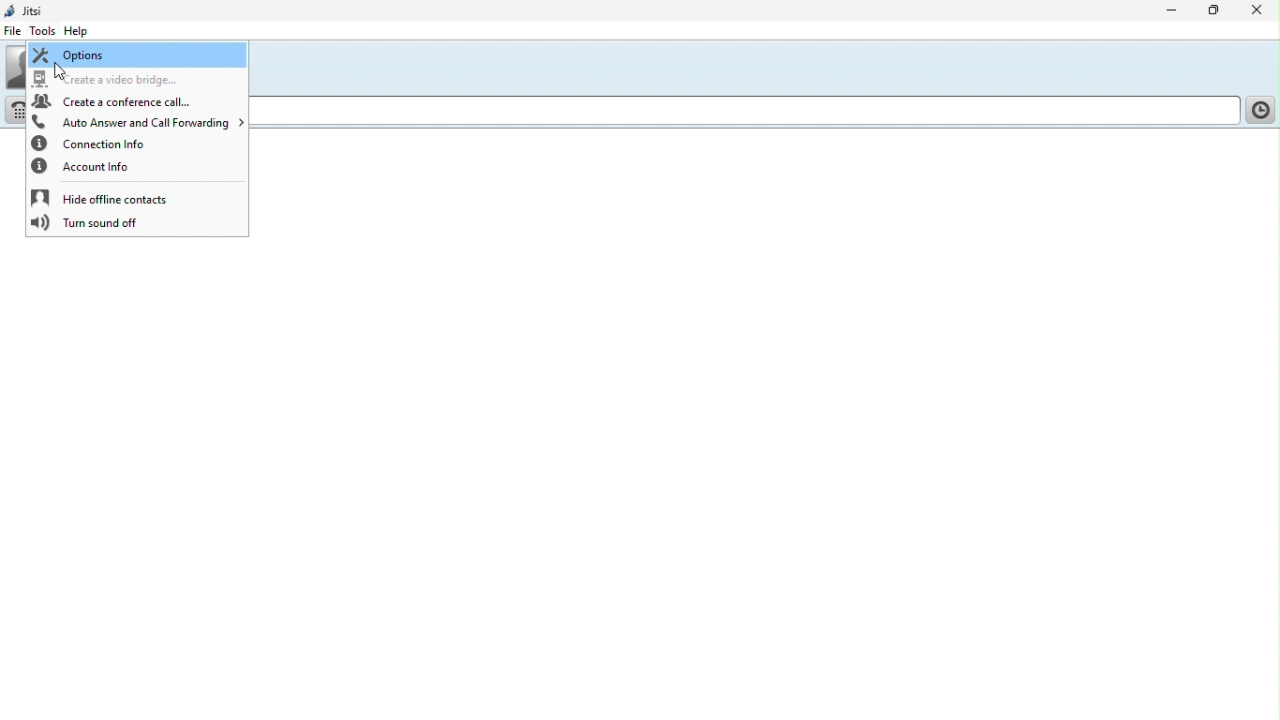 This screenshot has width=1280, height=720. I want to click on Account info, so click(88, 166).